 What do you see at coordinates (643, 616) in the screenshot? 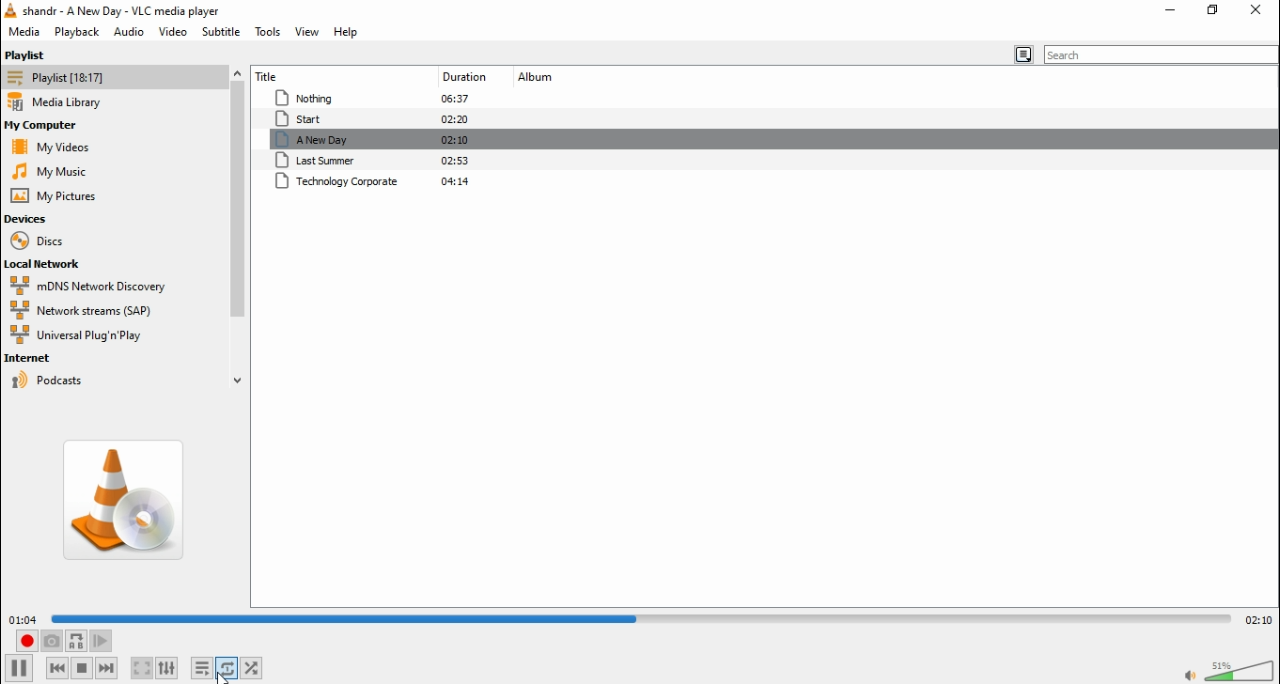
I see `seek bar` at bounding box center [643, 616].